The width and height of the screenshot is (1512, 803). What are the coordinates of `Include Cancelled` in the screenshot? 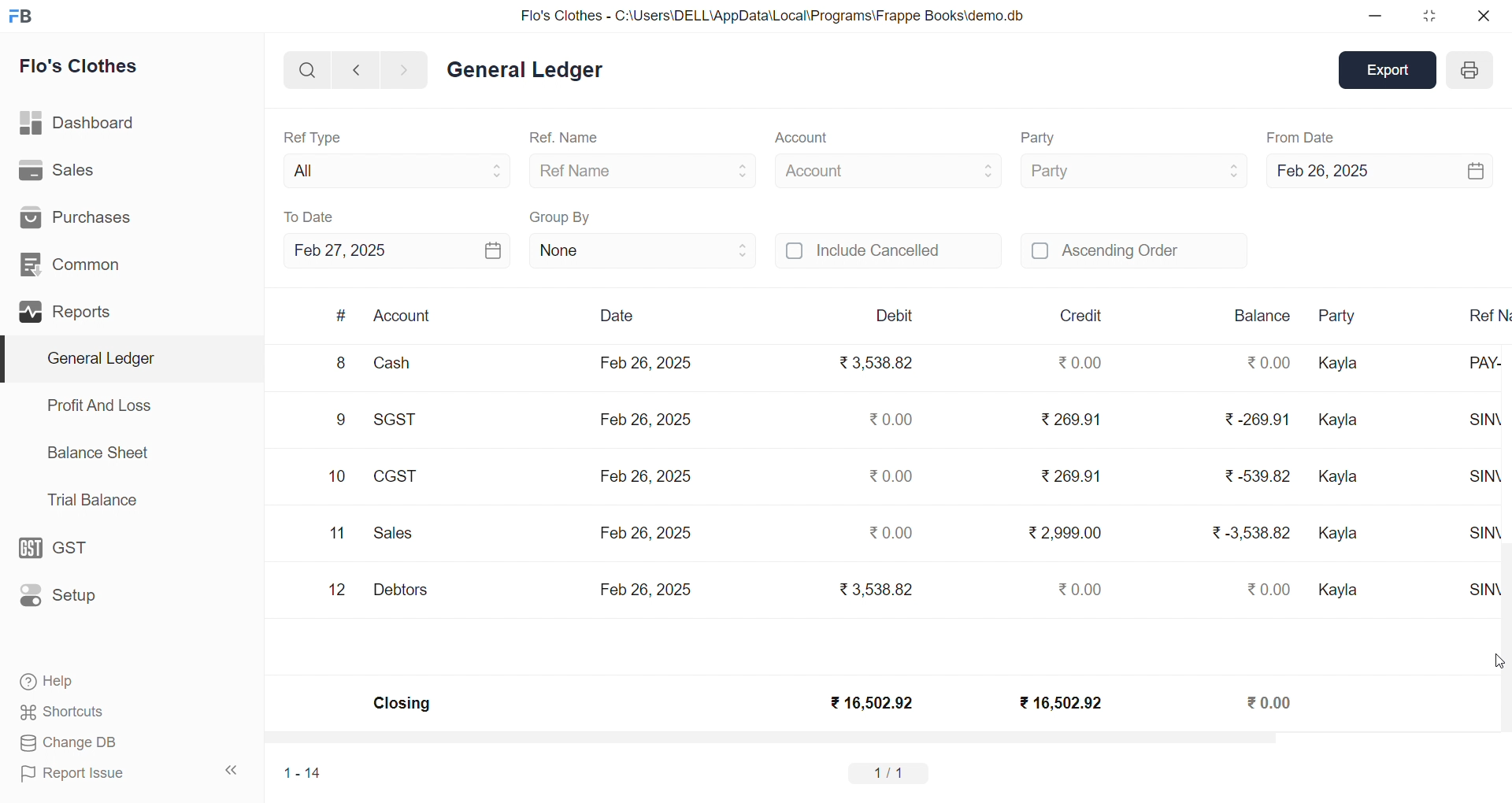 It's located at (888, 252).